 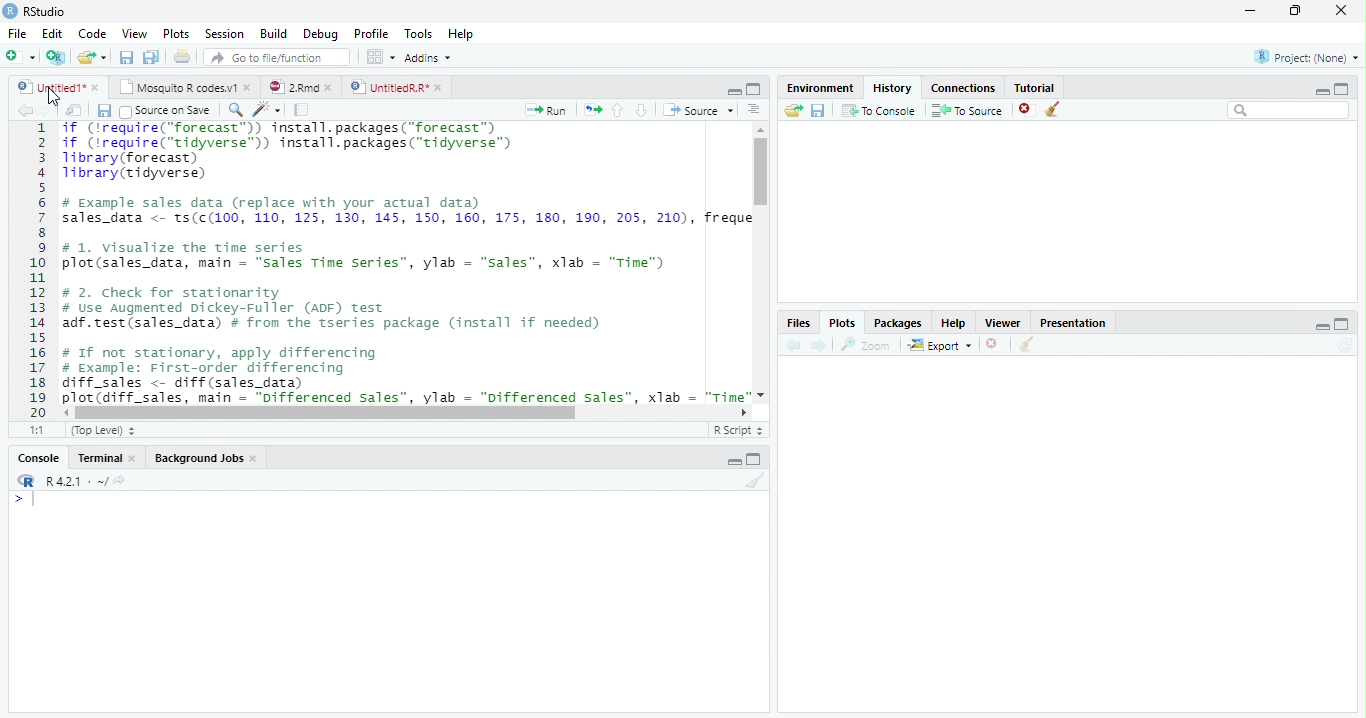 What do you see at coordinates (372, 35) in the screenshot?
I see `Profile` at bounding box center [372, 35].